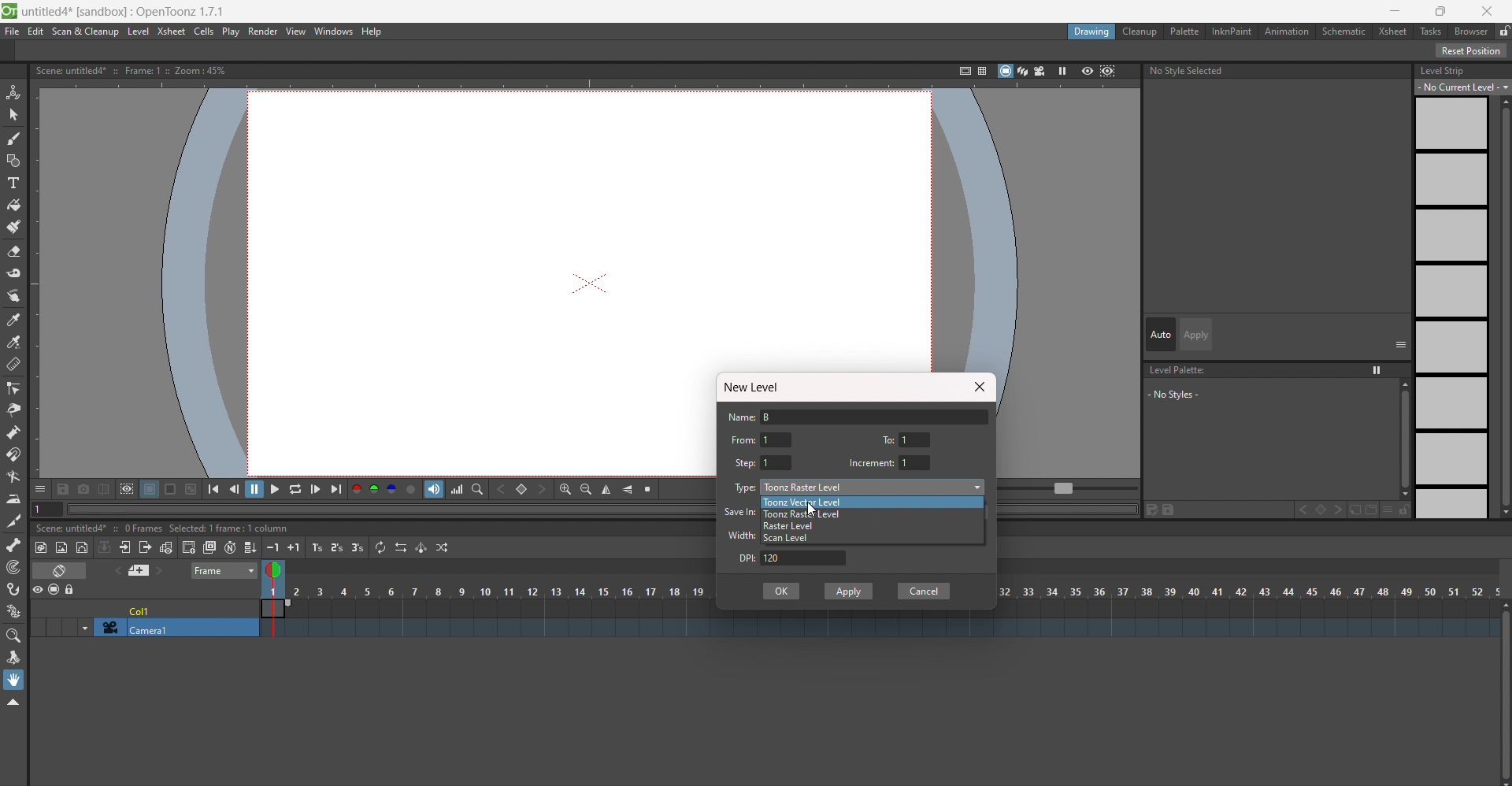  Describe the element at coordinates (877, 416) in the screenshot. I see `B` at that location.